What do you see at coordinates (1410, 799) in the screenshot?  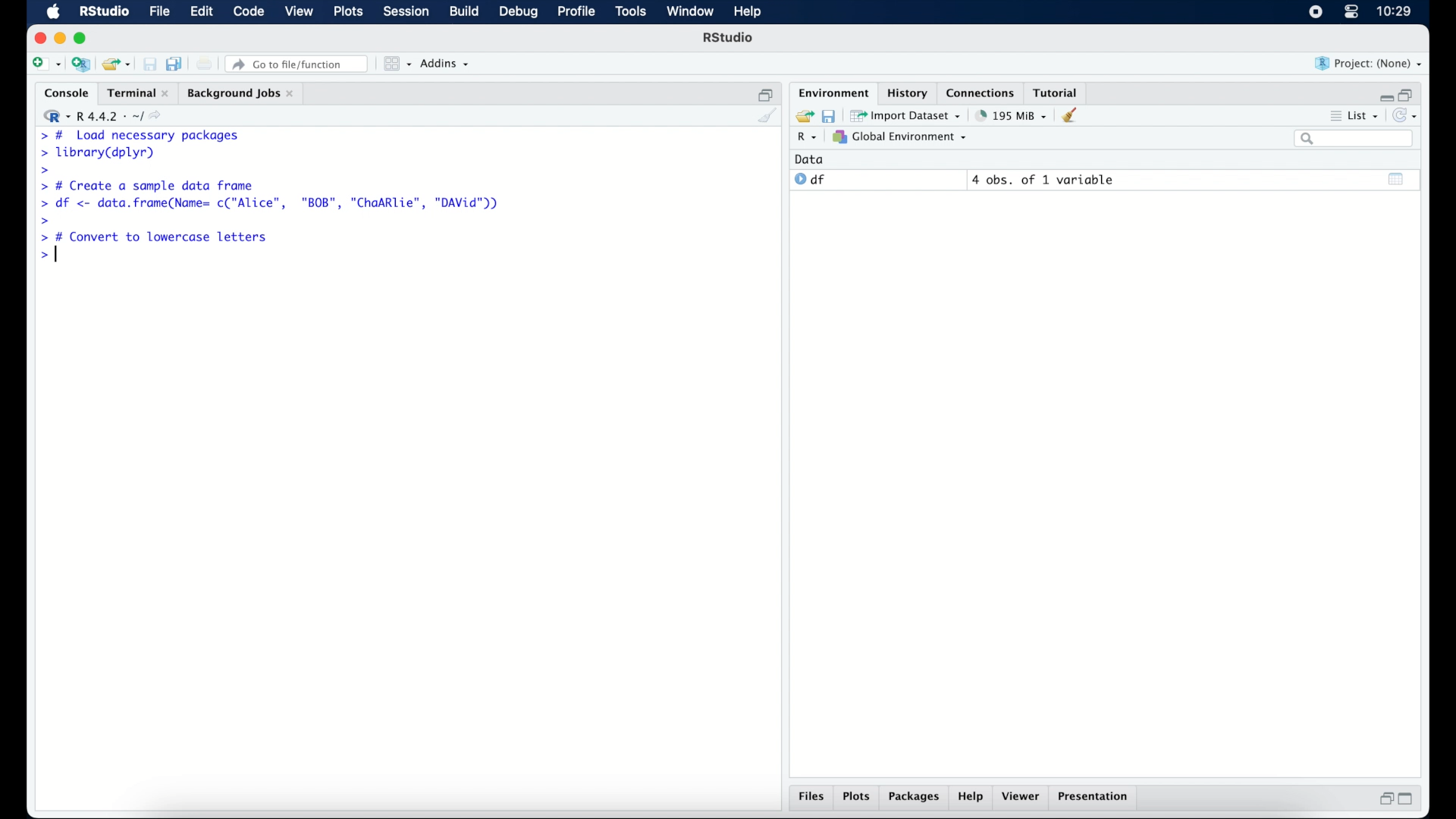 I see `maximize` at bounding box center [1410, 799].